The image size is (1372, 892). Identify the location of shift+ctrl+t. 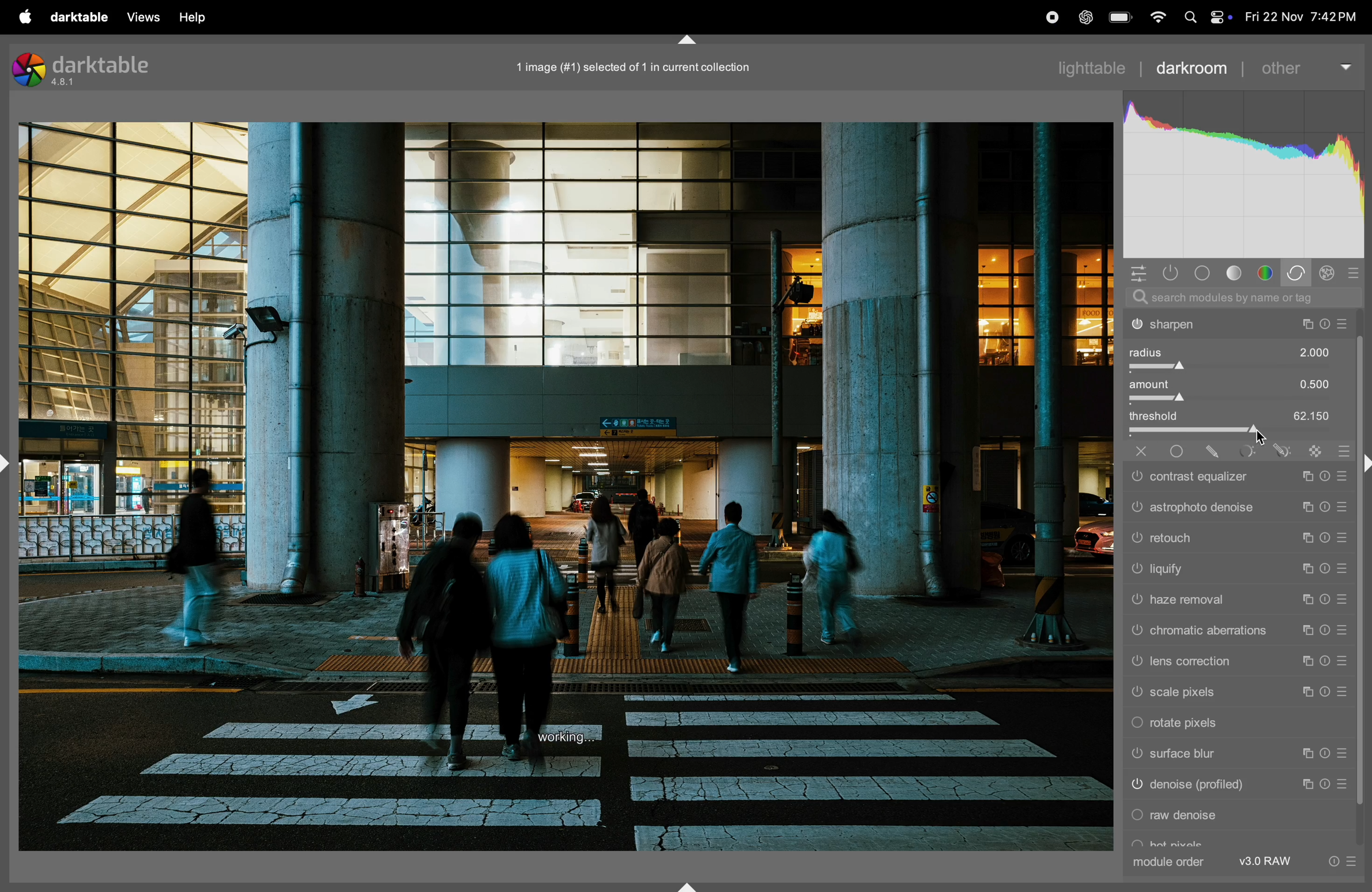
(689, 40).